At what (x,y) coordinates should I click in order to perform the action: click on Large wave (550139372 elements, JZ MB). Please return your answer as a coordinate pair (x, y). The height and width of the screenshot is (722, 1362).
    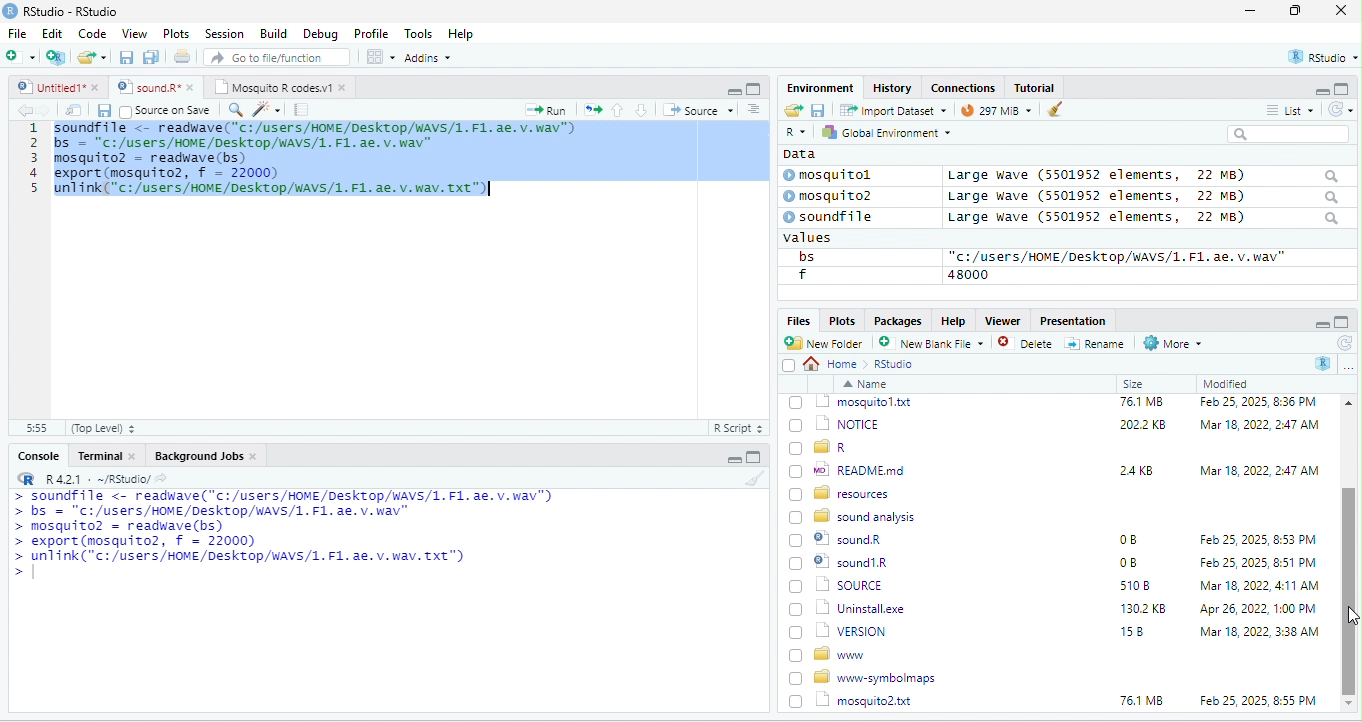
    Looking at the image, I should click on (1145, 196).